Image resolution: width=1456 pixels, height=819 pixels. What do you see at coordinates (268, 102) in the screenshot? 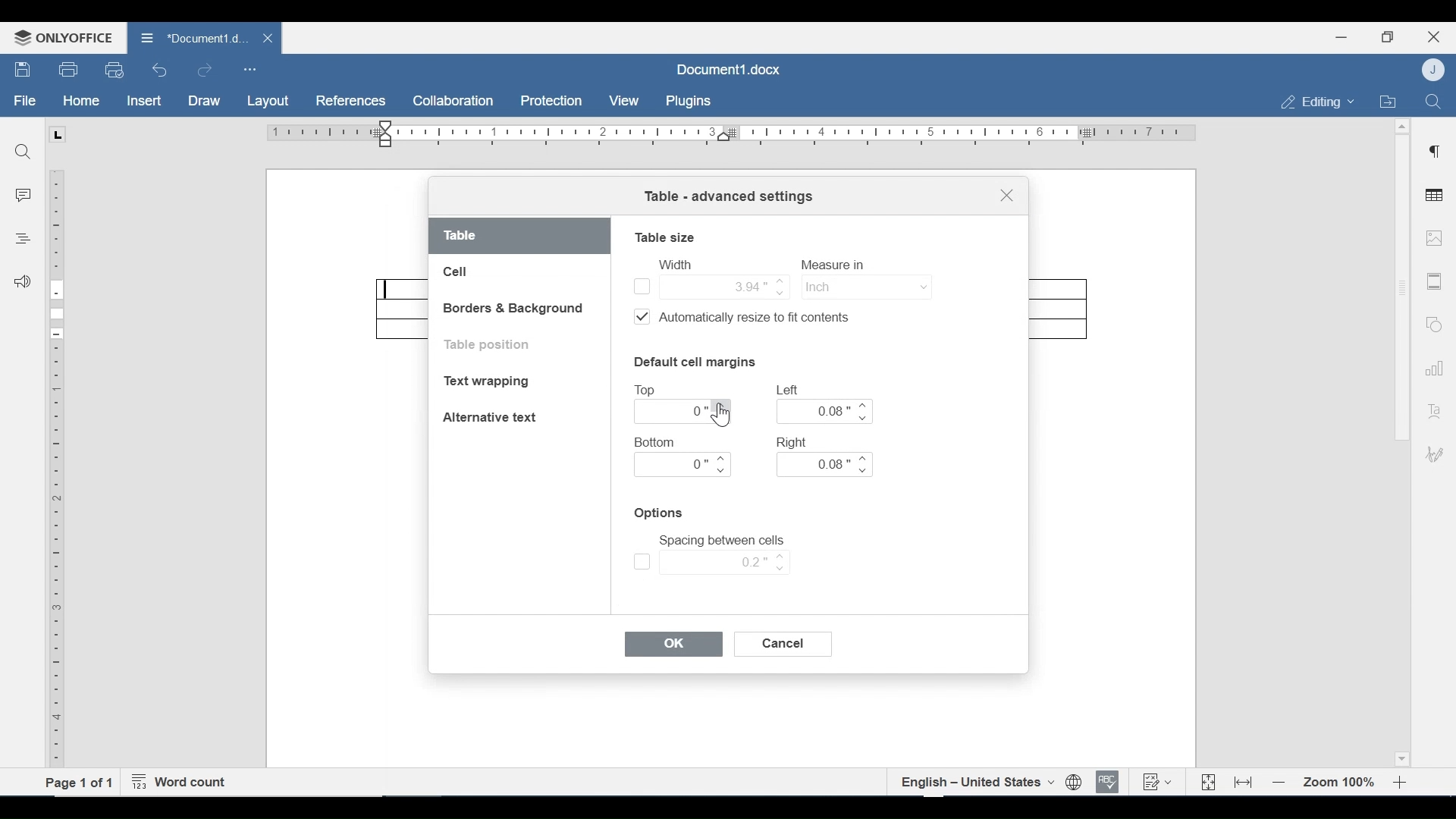
I see `Layout` at bounding box center [268, 102].